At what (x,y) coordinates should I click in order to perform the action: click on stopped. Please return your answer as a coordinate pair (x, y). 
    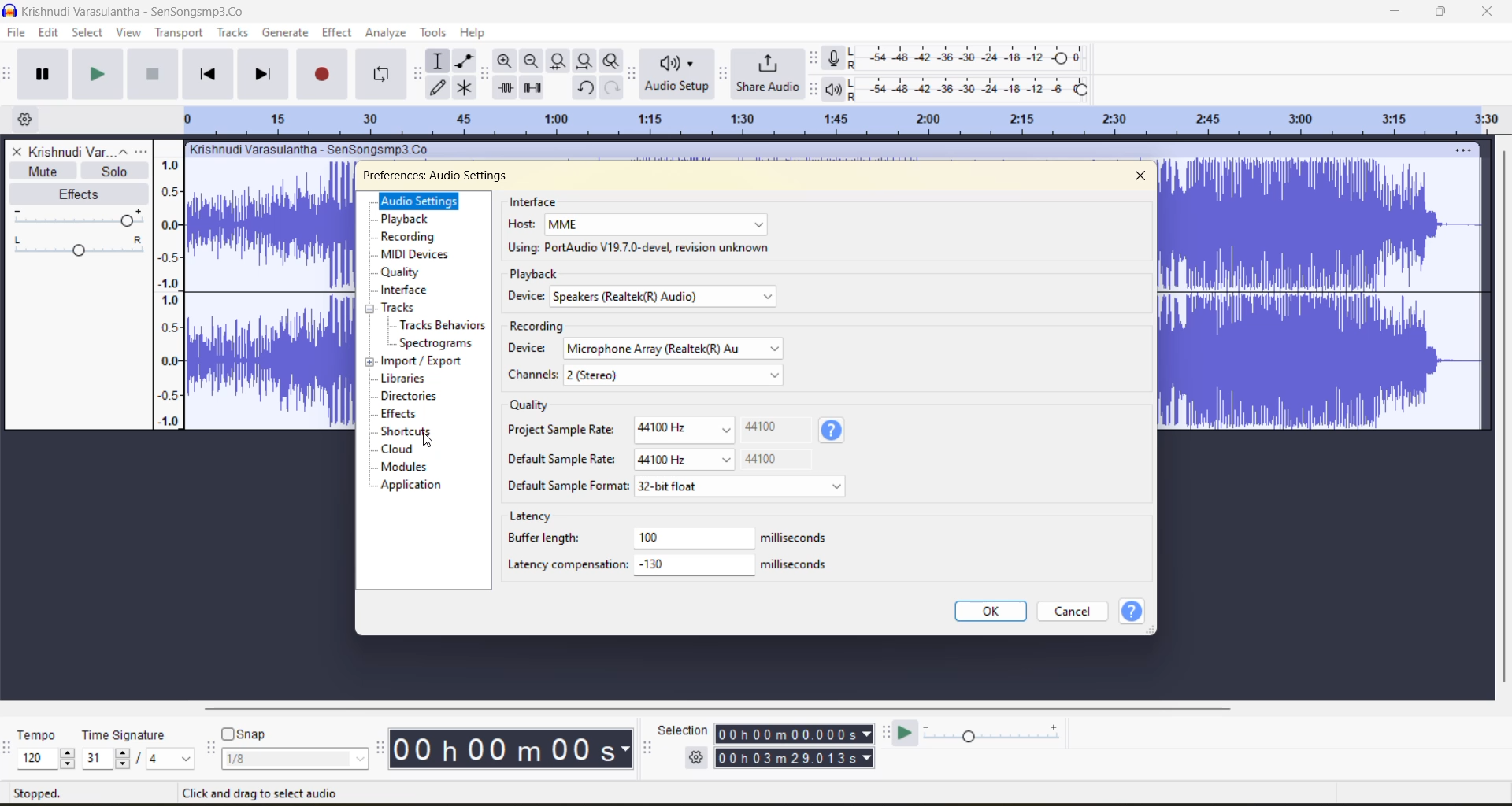
    Looking at the image, I should click on (41, 793).